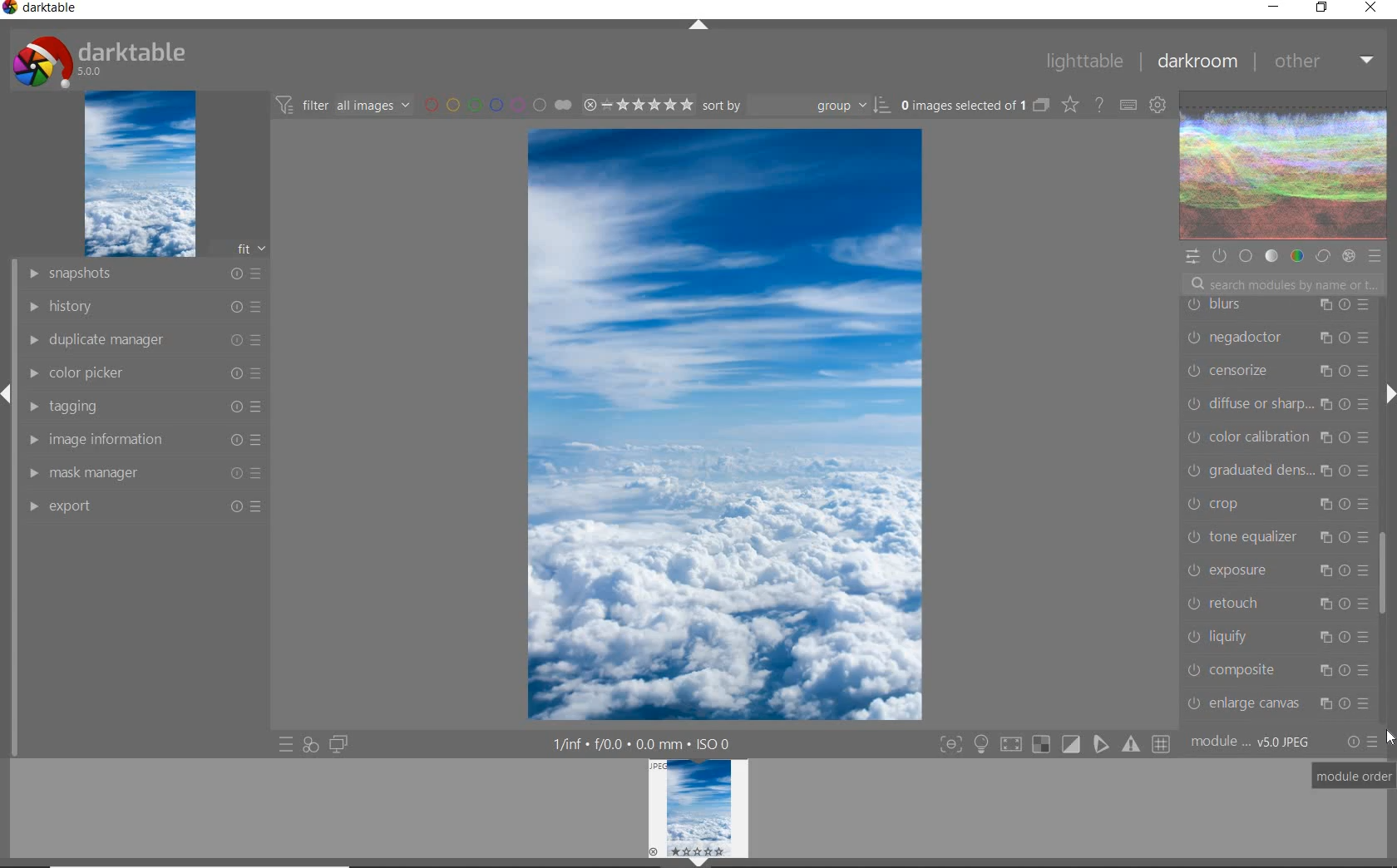 The width and height of the screenshot is (1397, 868). Describe the element at coordinates (1042, 104) in the screenshot. I see `COLLAPSE GROUPED IMAGES` at that location.